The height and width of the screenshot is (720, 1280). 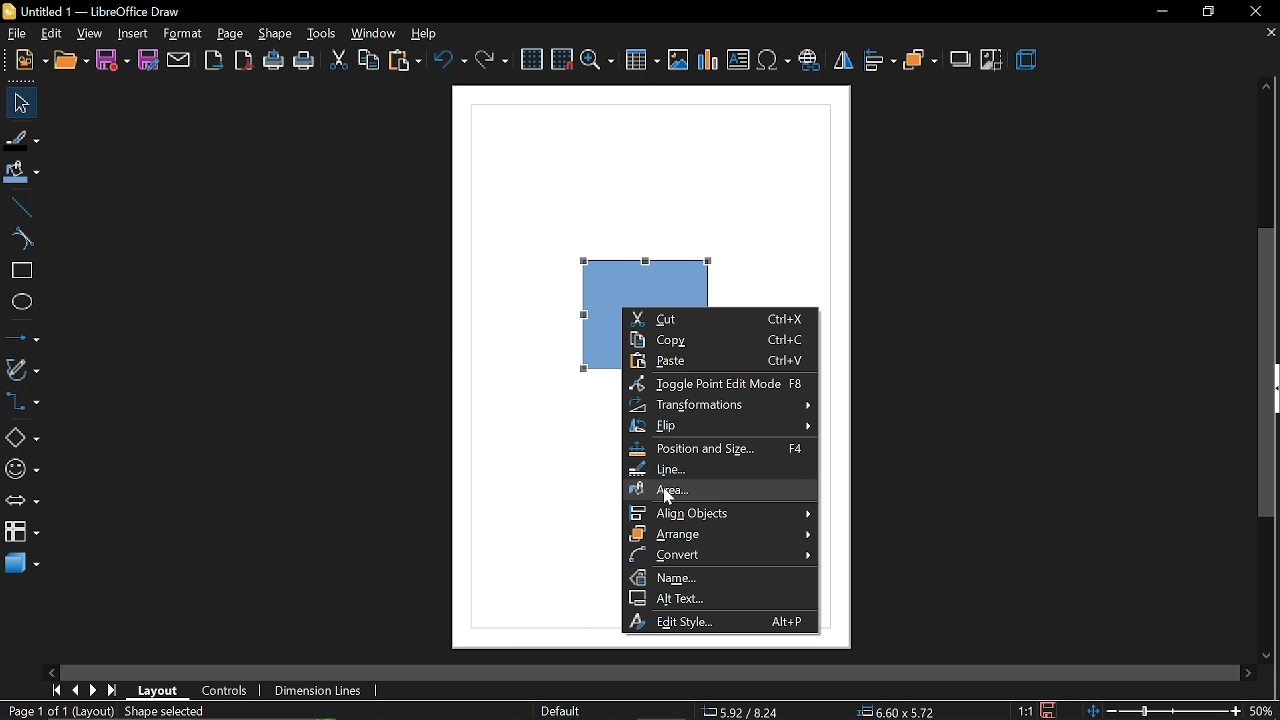 I want to click on Untitled 1 - LibreOffice Draw, so click(x=100, y=10).